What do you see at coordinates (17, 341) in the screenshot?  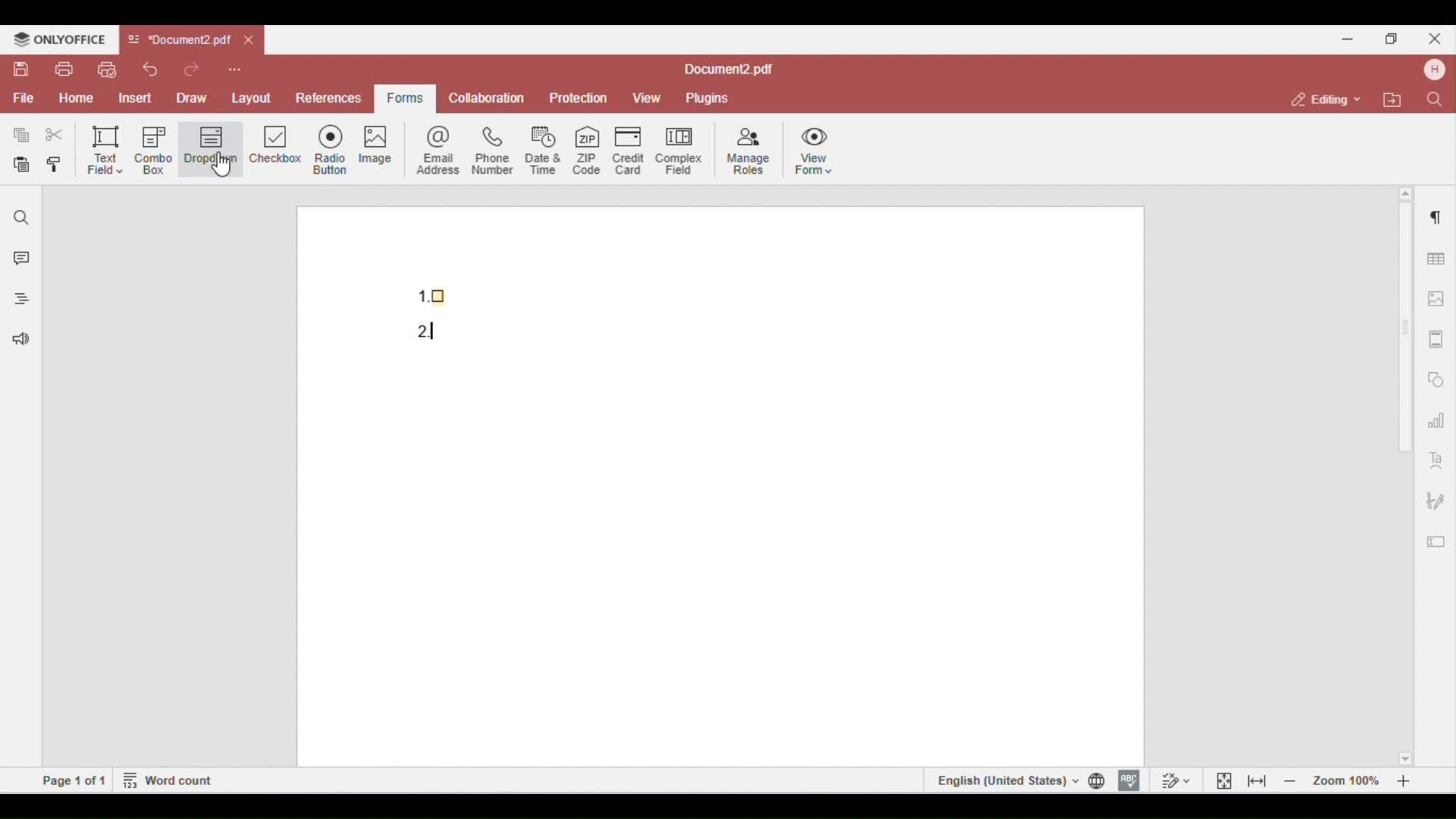 I see `feedback and support` at bounding box center [17, 341].